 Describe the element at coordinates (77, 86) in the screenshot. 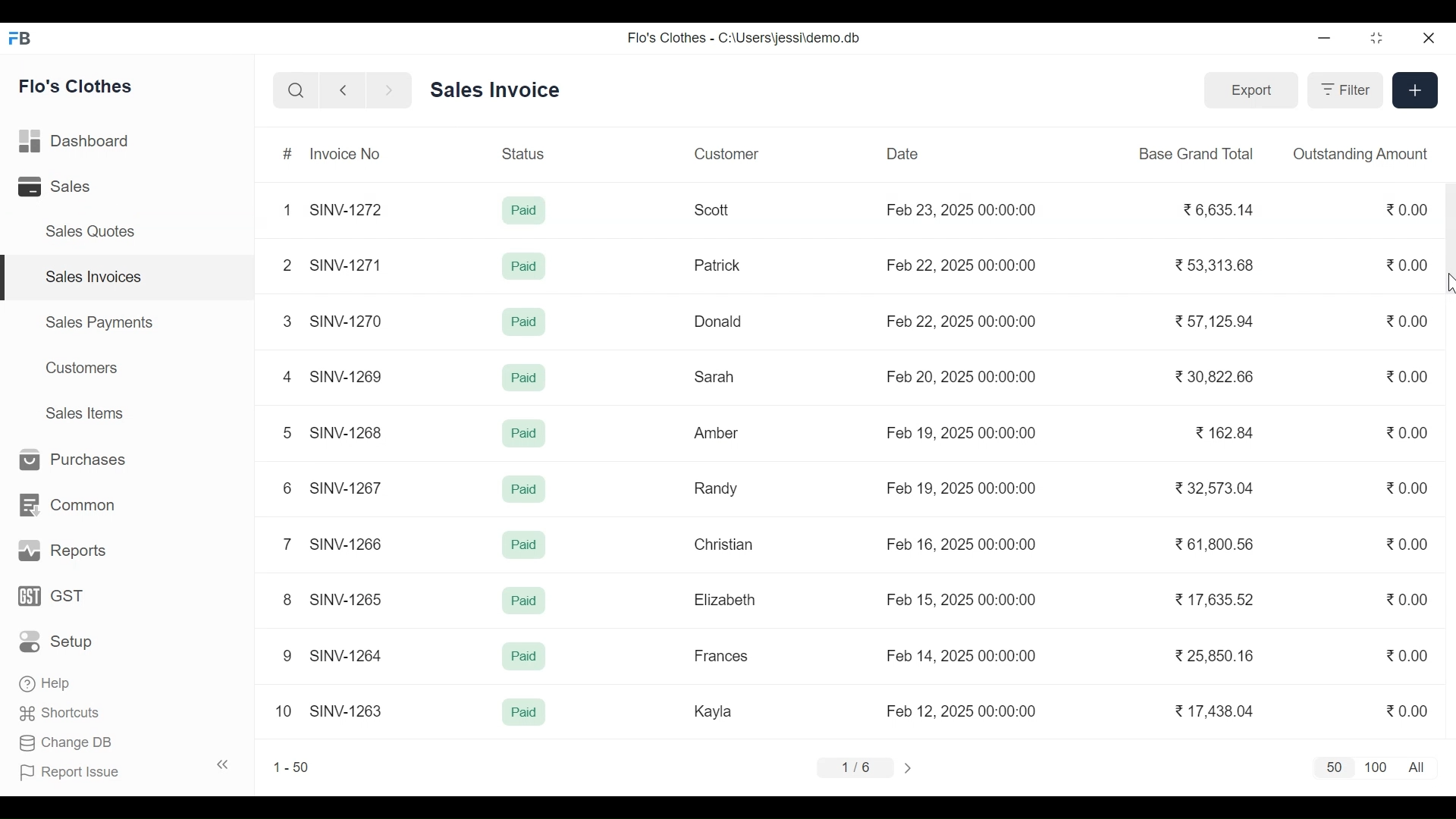

I see `Flo's Clothes` at that location.